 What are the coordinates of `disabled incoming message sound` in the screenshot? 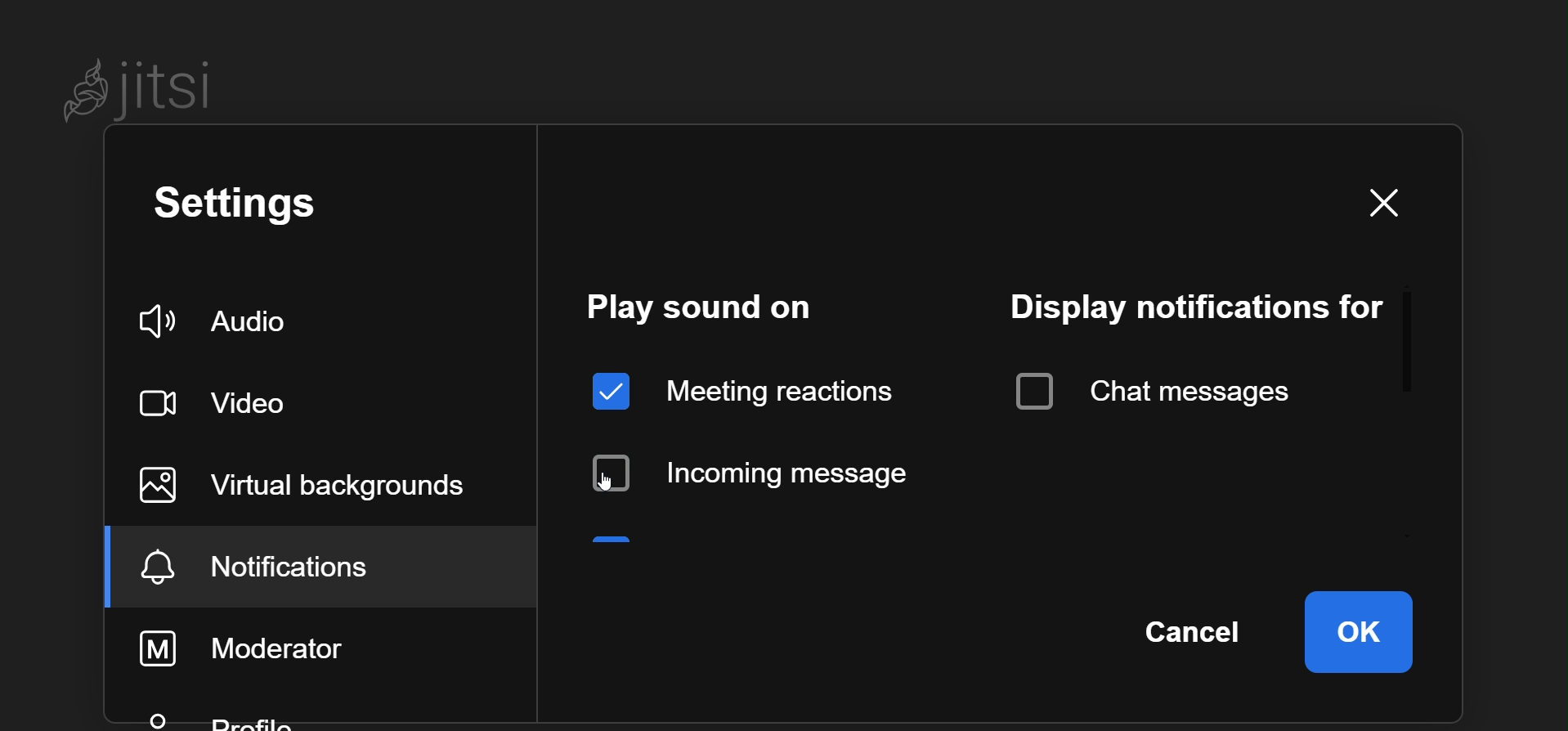 It's located at (755, 469).